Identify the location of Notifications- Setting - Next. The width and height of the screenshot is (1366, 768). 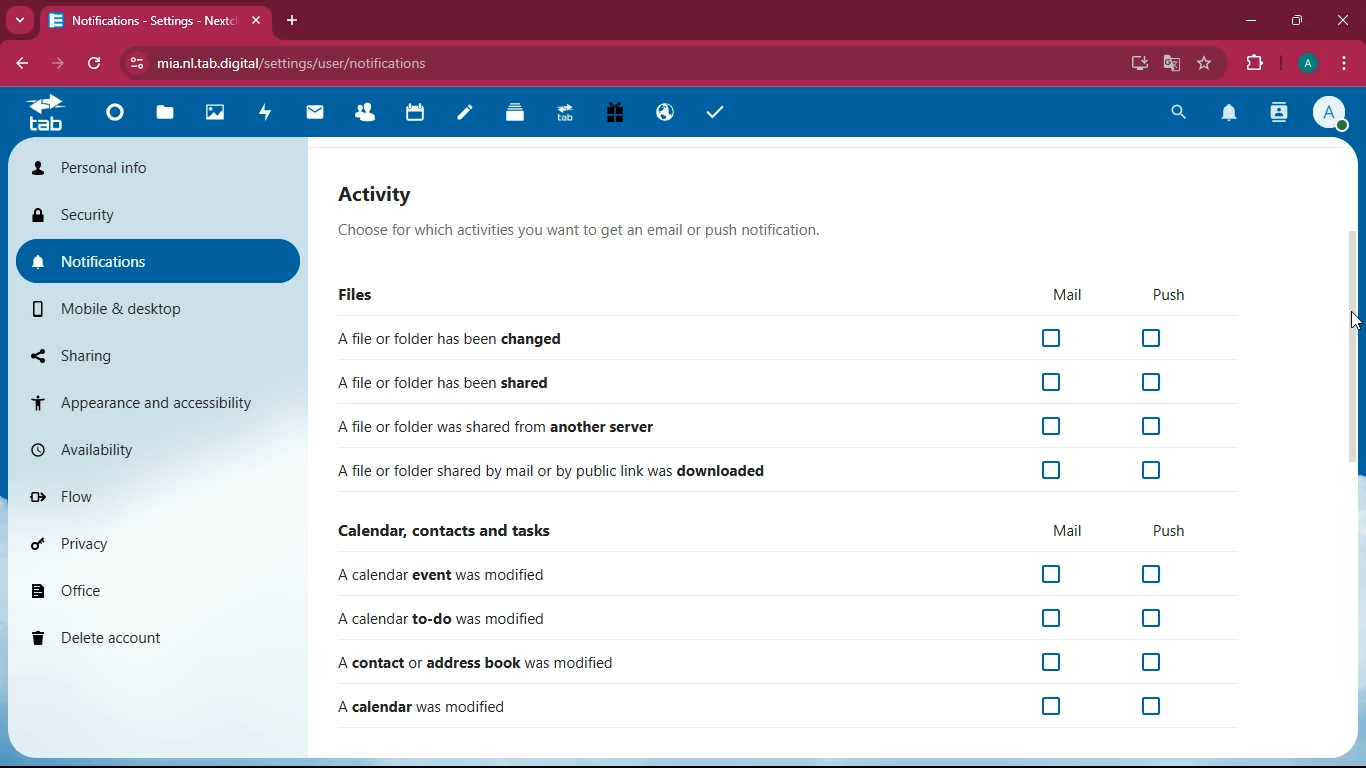
(145, 22).